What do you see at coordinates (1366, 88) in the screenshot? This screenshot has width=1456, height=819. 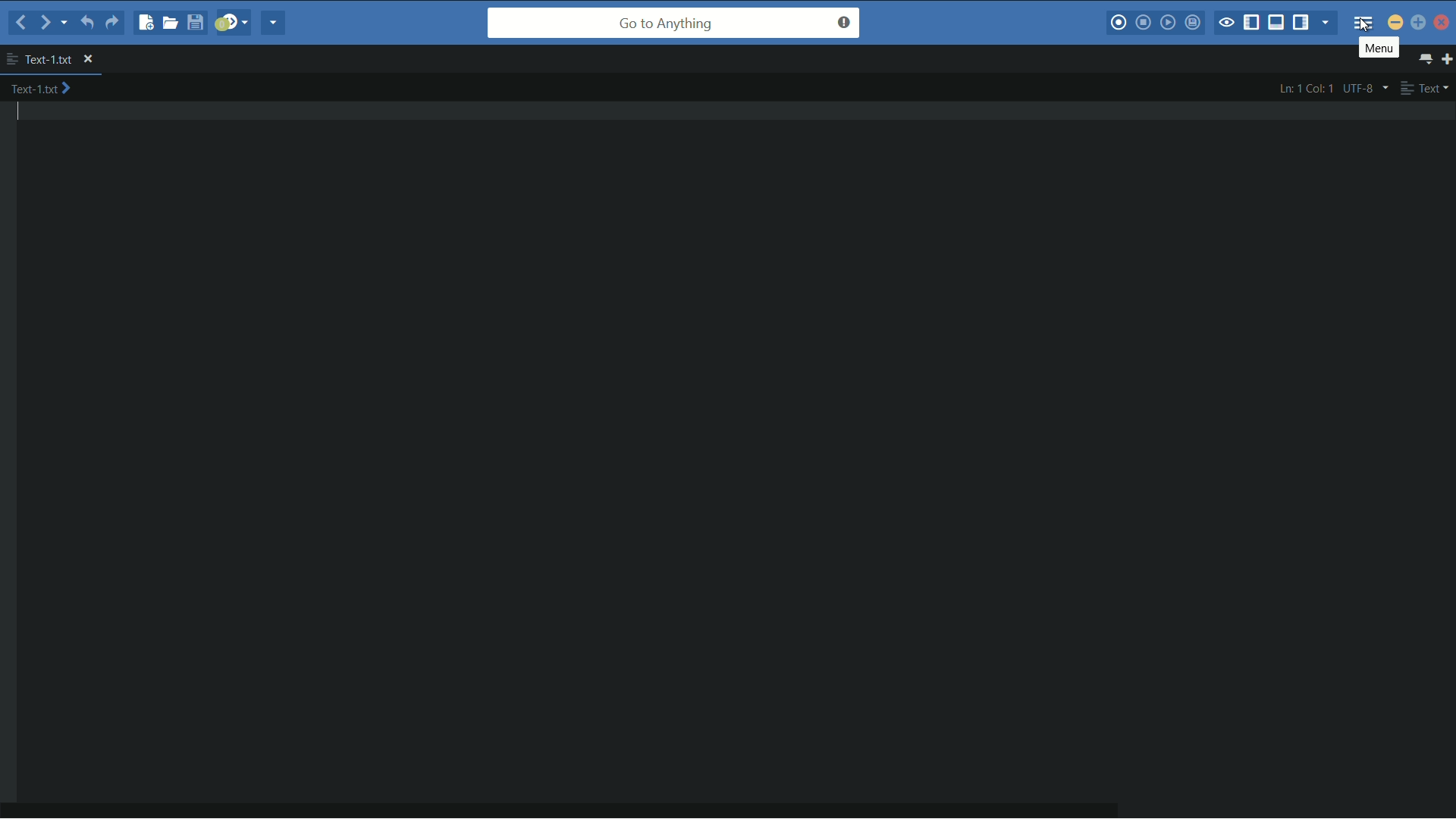 I see `utf-8` at bounding box center [1366, 88].